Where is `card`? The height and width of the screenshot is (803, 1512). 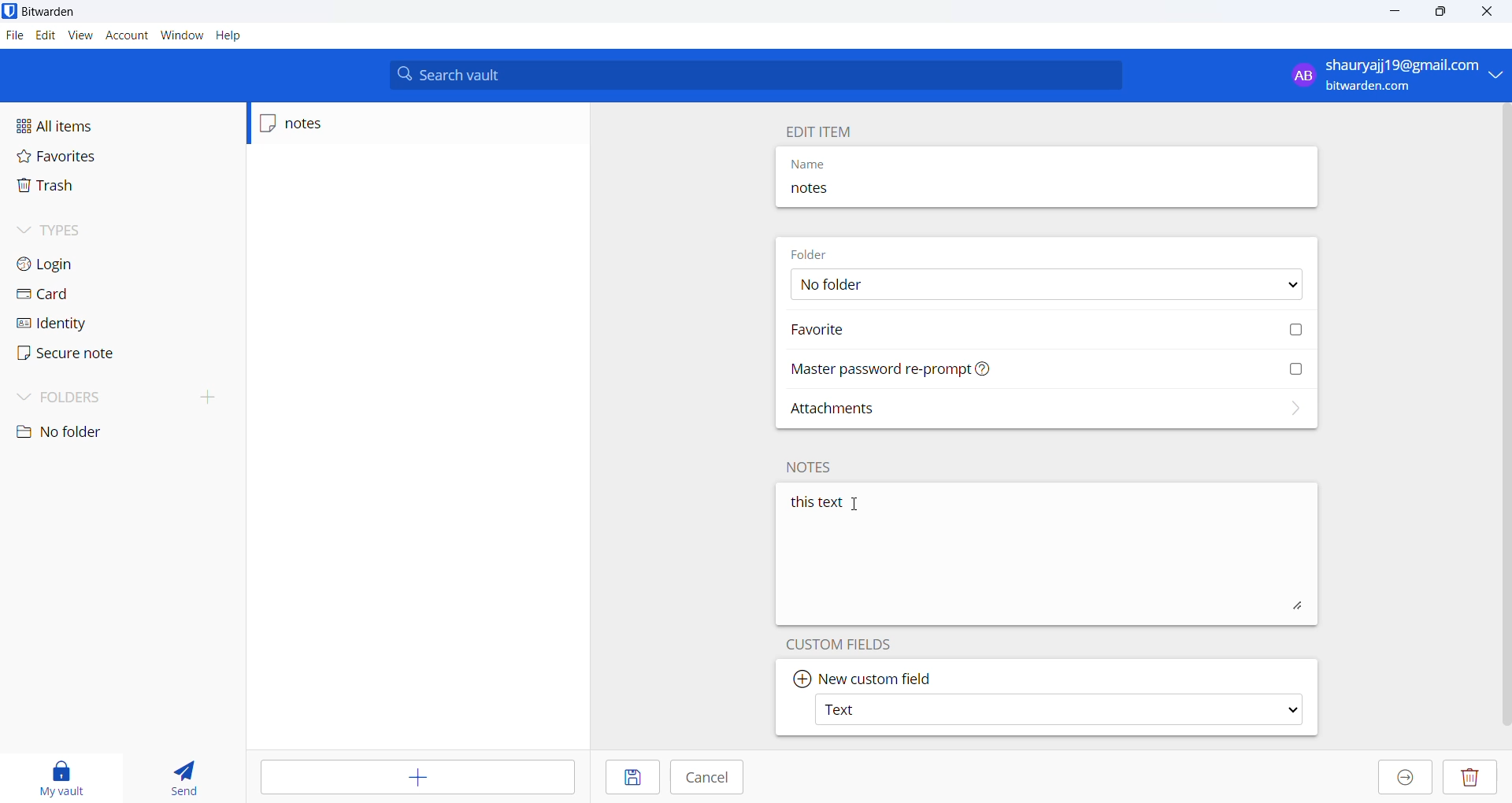 card is located at coordinates (69, 298).